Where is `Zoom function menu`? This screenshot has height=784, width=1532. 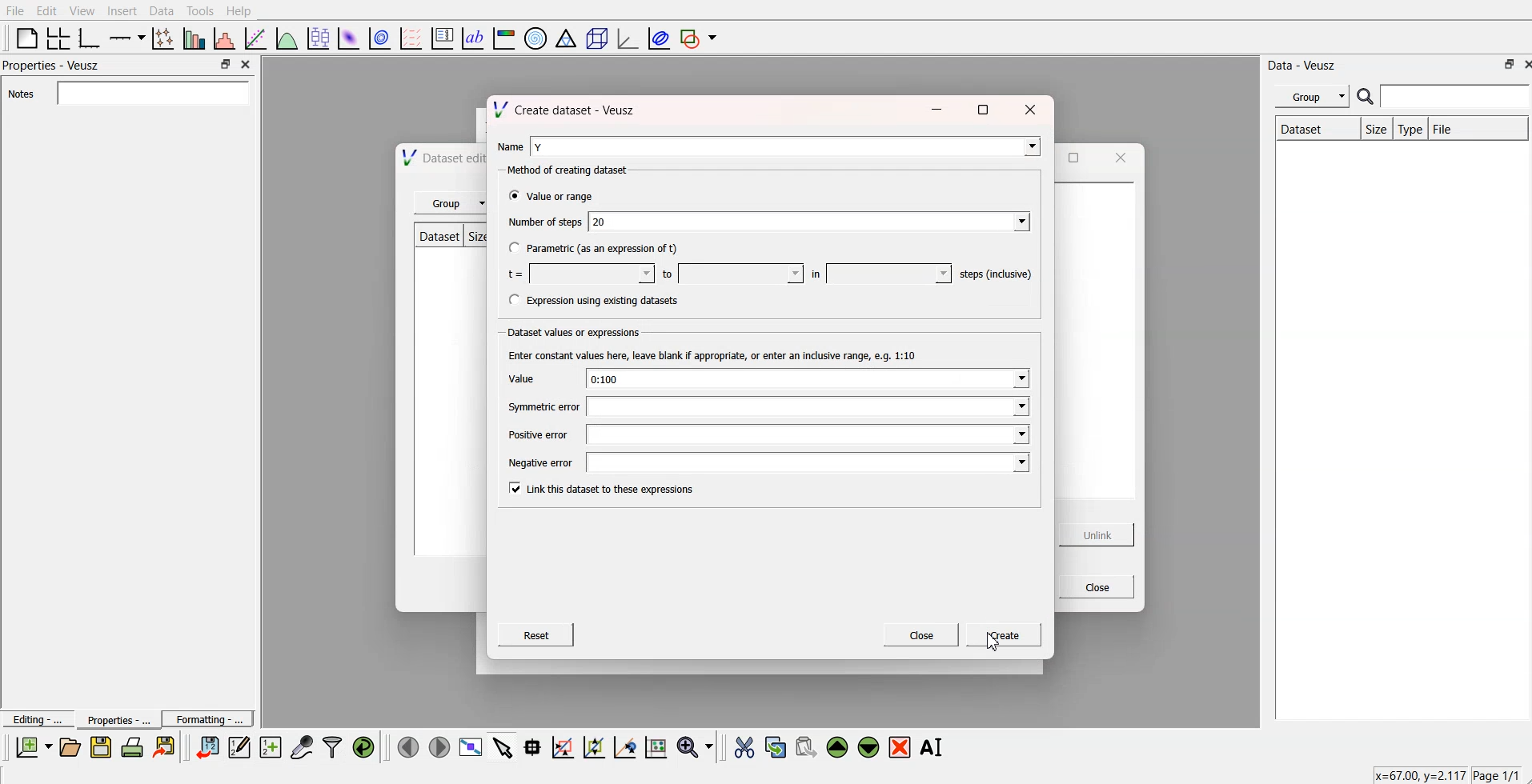
Zoom function menu is located at coordinates (696, 746).